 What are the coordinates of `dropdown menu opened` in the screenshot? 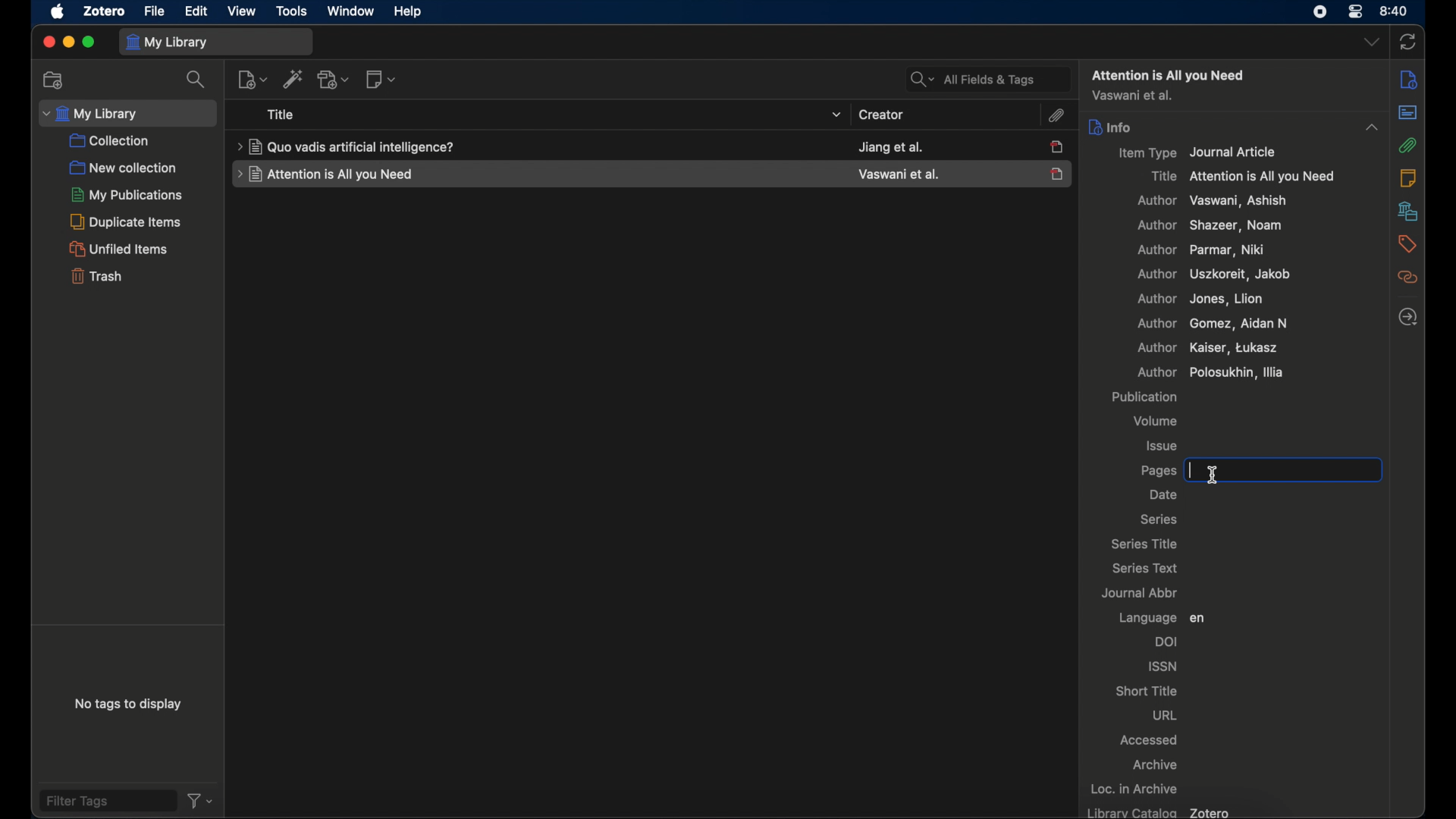 It's located at (1371, 127).